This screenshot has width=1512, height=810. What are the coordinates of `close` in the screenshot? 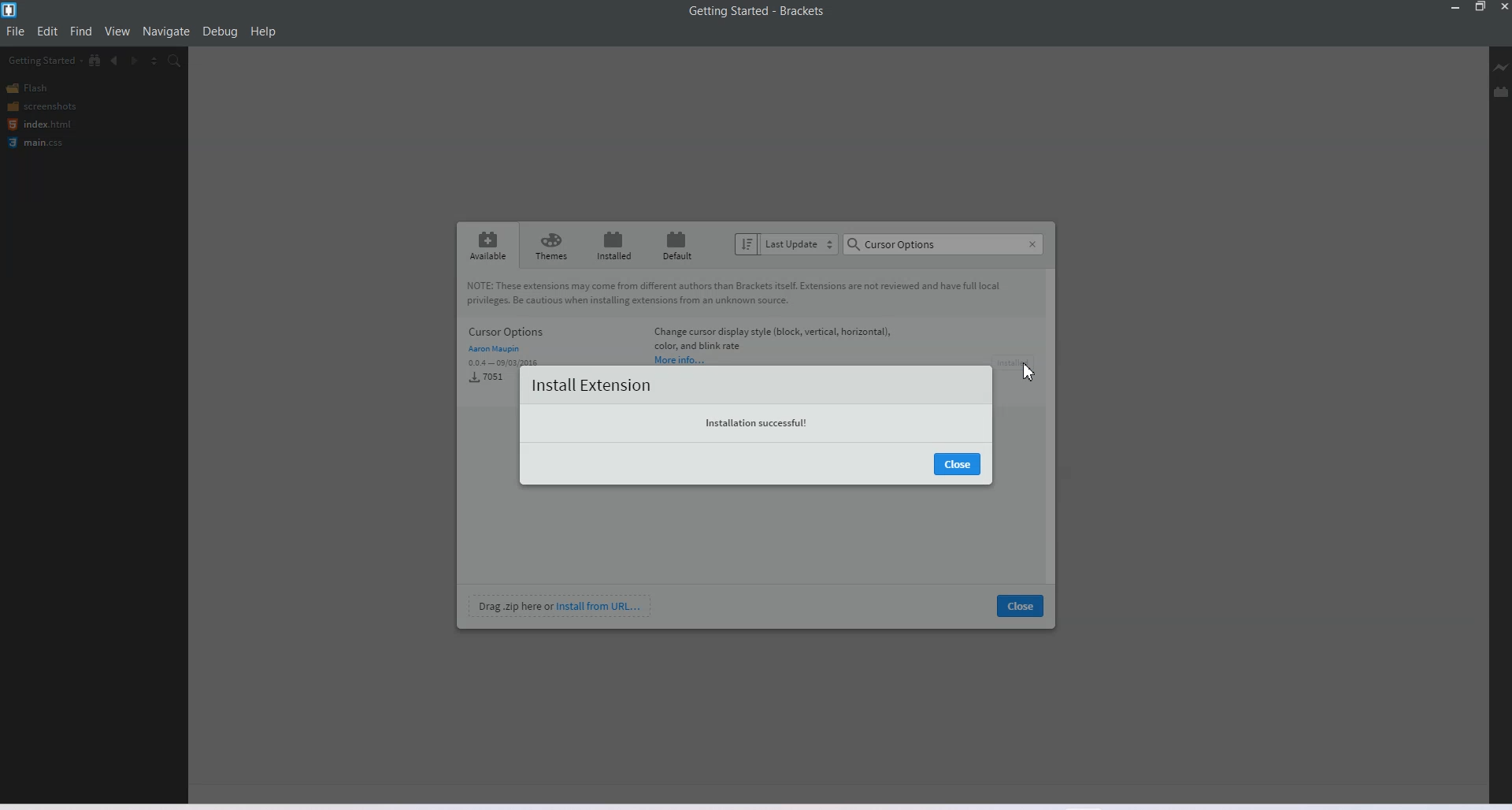 It's located at (960, 464).